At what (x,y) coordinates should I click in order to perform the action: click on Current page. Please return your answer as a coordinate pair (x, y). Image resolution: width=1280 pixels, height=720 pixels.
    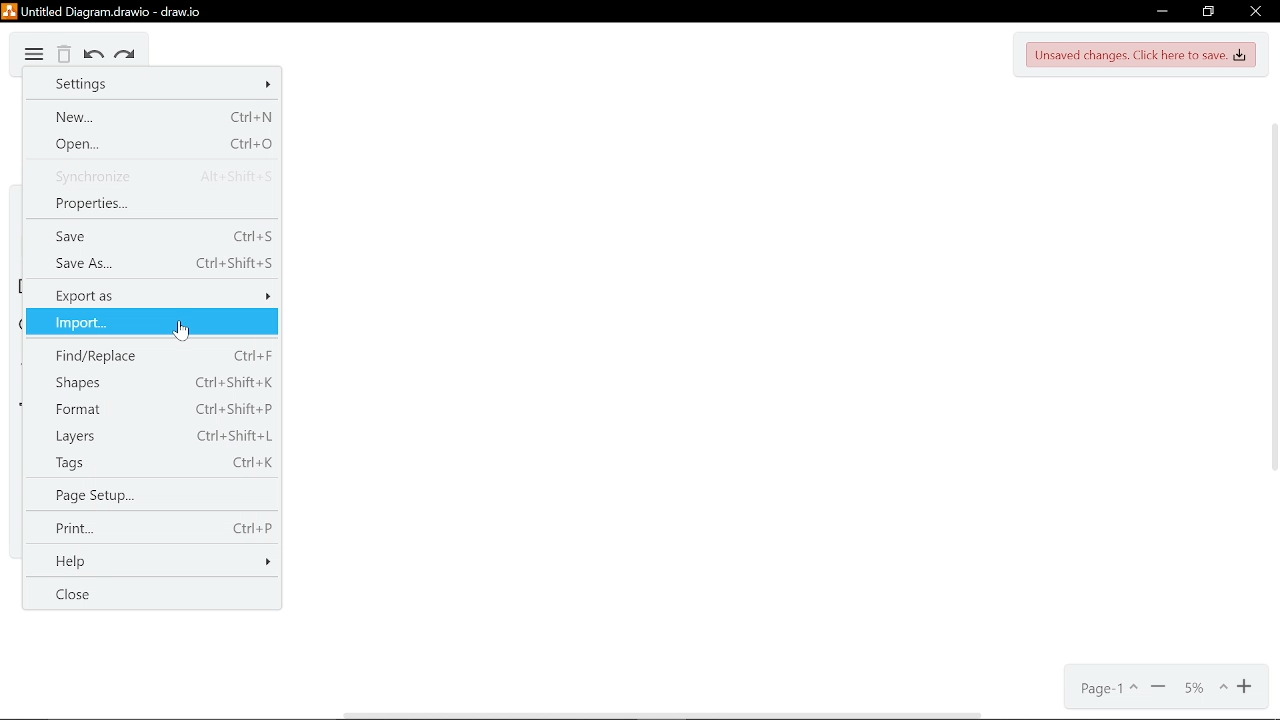
    Looking at the image, I should click on (1102, 689).